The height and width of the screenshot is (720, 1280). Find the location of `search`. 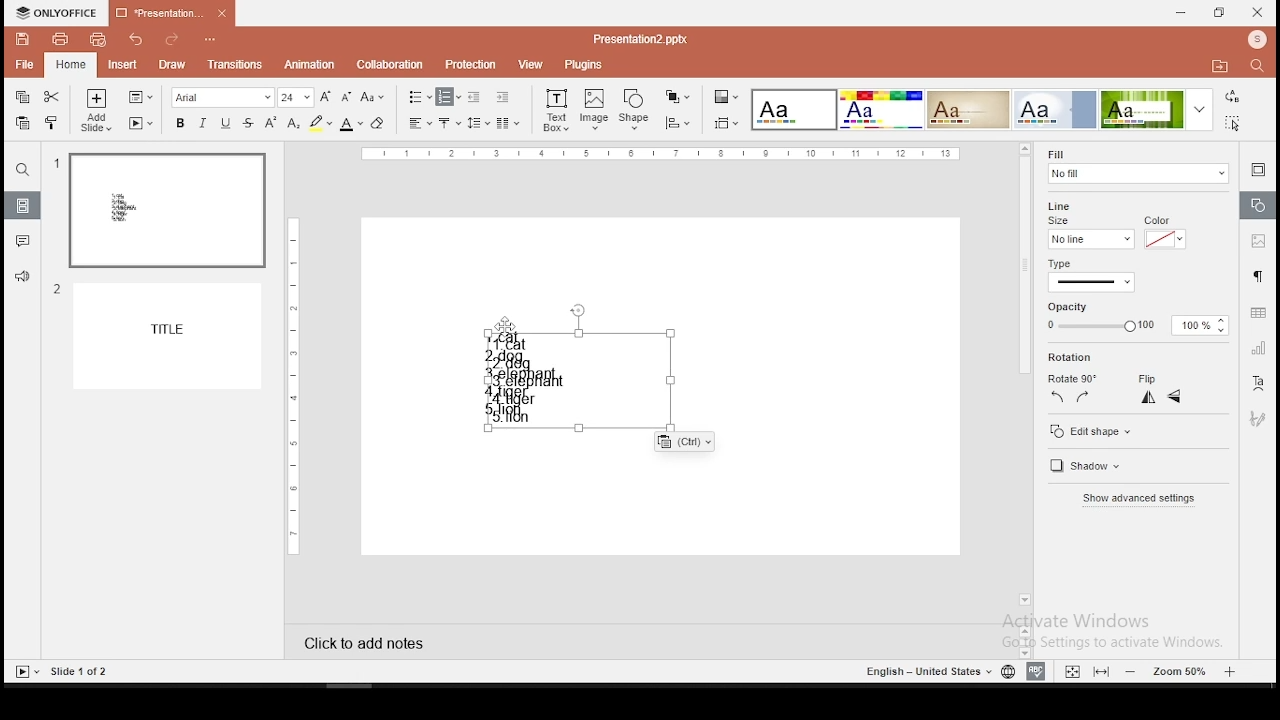

search is located at coordinates (1261, 68).